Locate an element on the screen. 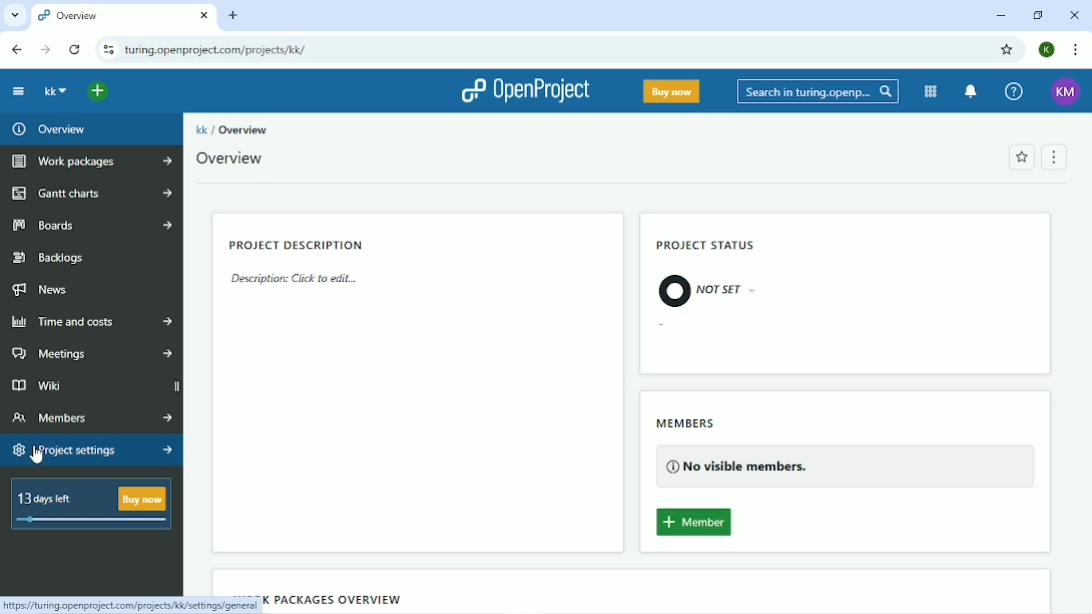  Search in turing.openproject is located at coordinates (816, 91).